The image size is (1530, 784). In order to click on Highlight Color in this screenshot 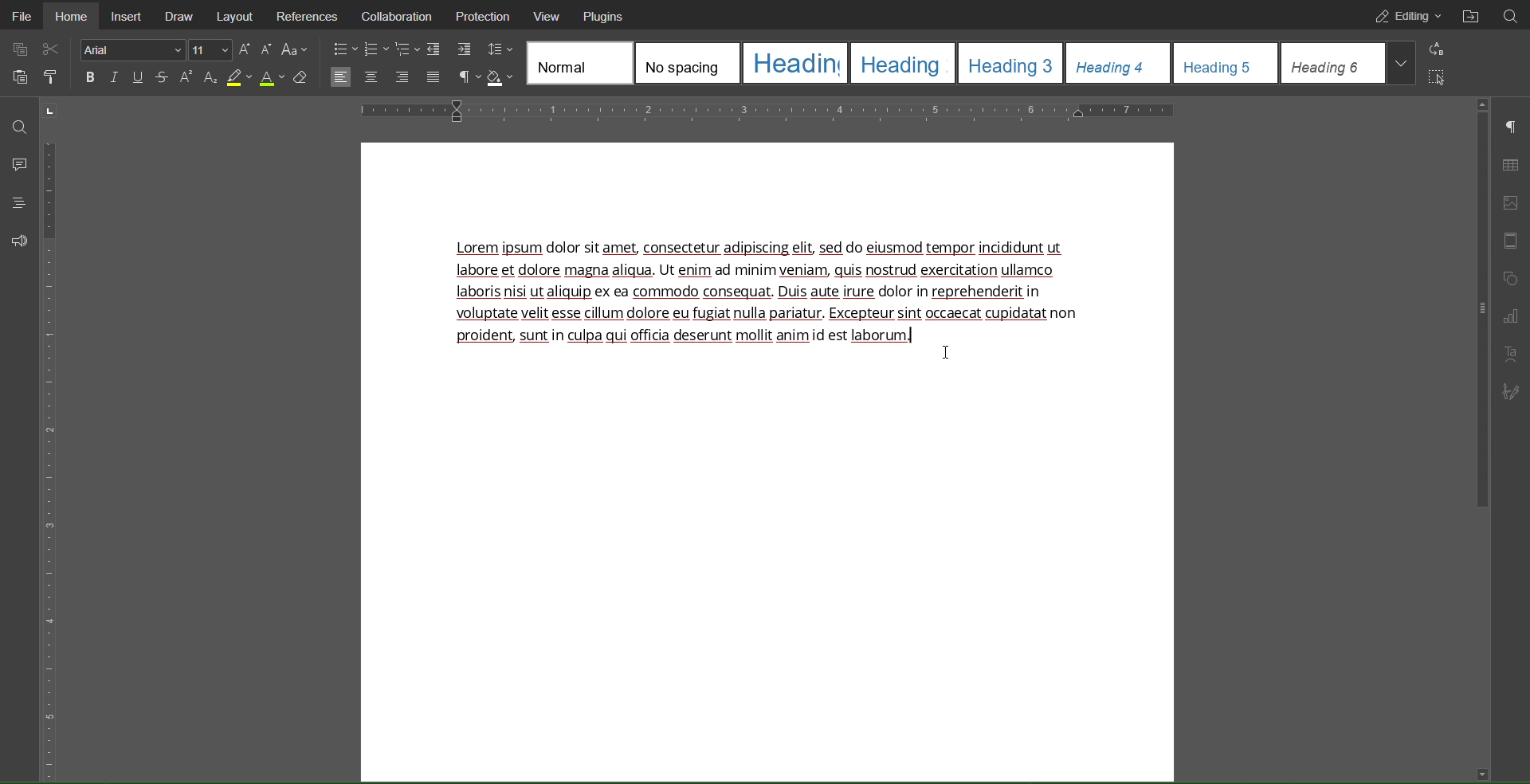, I will do `click(240, 78)`.